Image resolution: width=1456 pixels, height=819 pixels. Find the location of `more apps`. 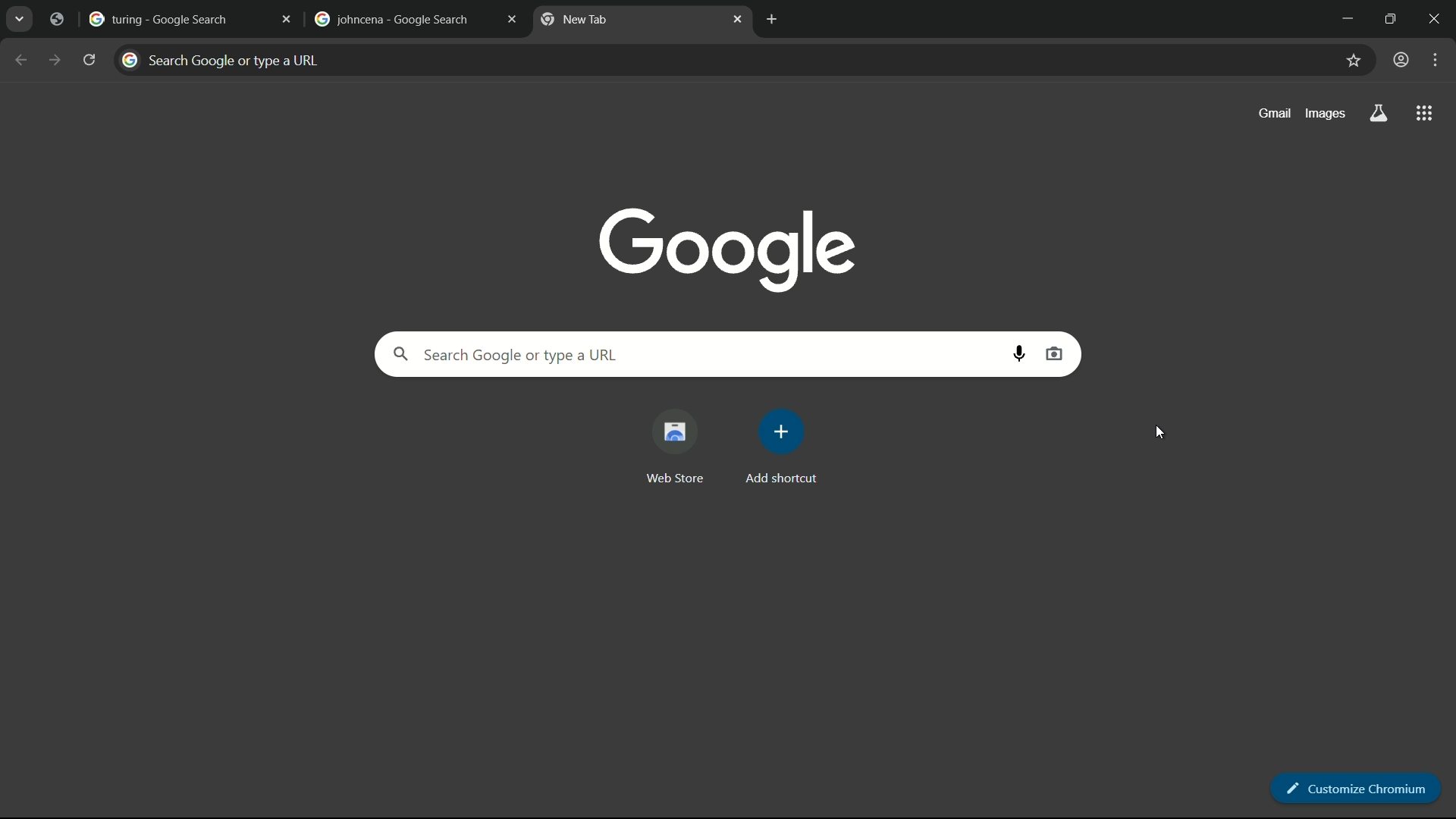

more apps is located at coordinates (1423, 114).